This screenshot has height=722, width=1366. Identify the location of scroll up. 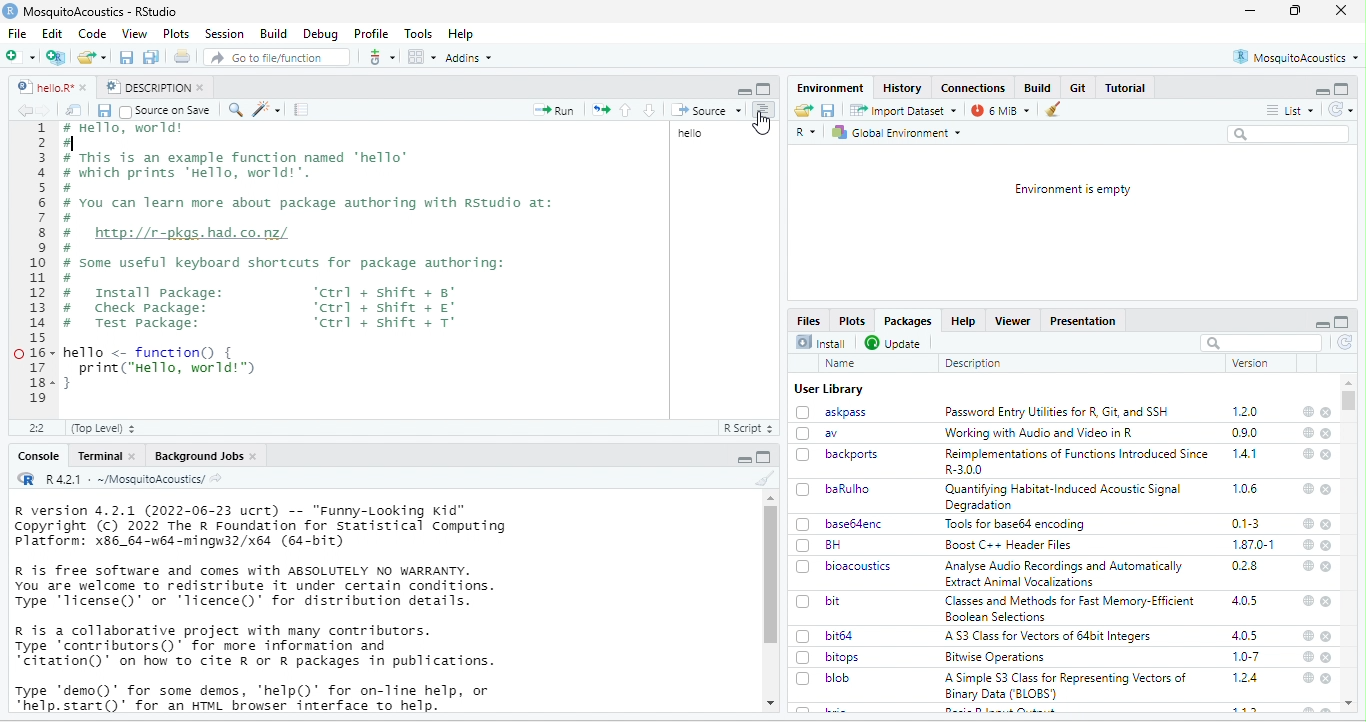
(1351, 704).